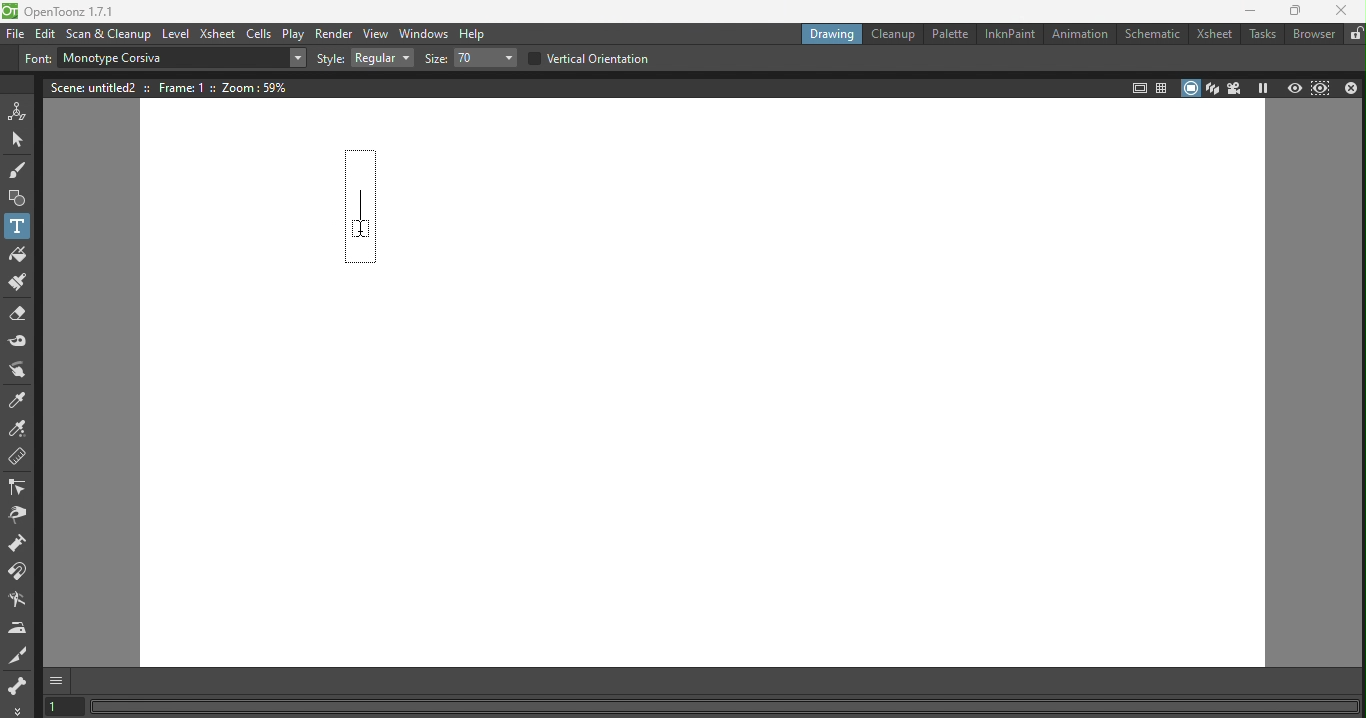  Describe the element at coordinates (112, 33) in the screenshot. I see `Scan & Cleanup` at that location.